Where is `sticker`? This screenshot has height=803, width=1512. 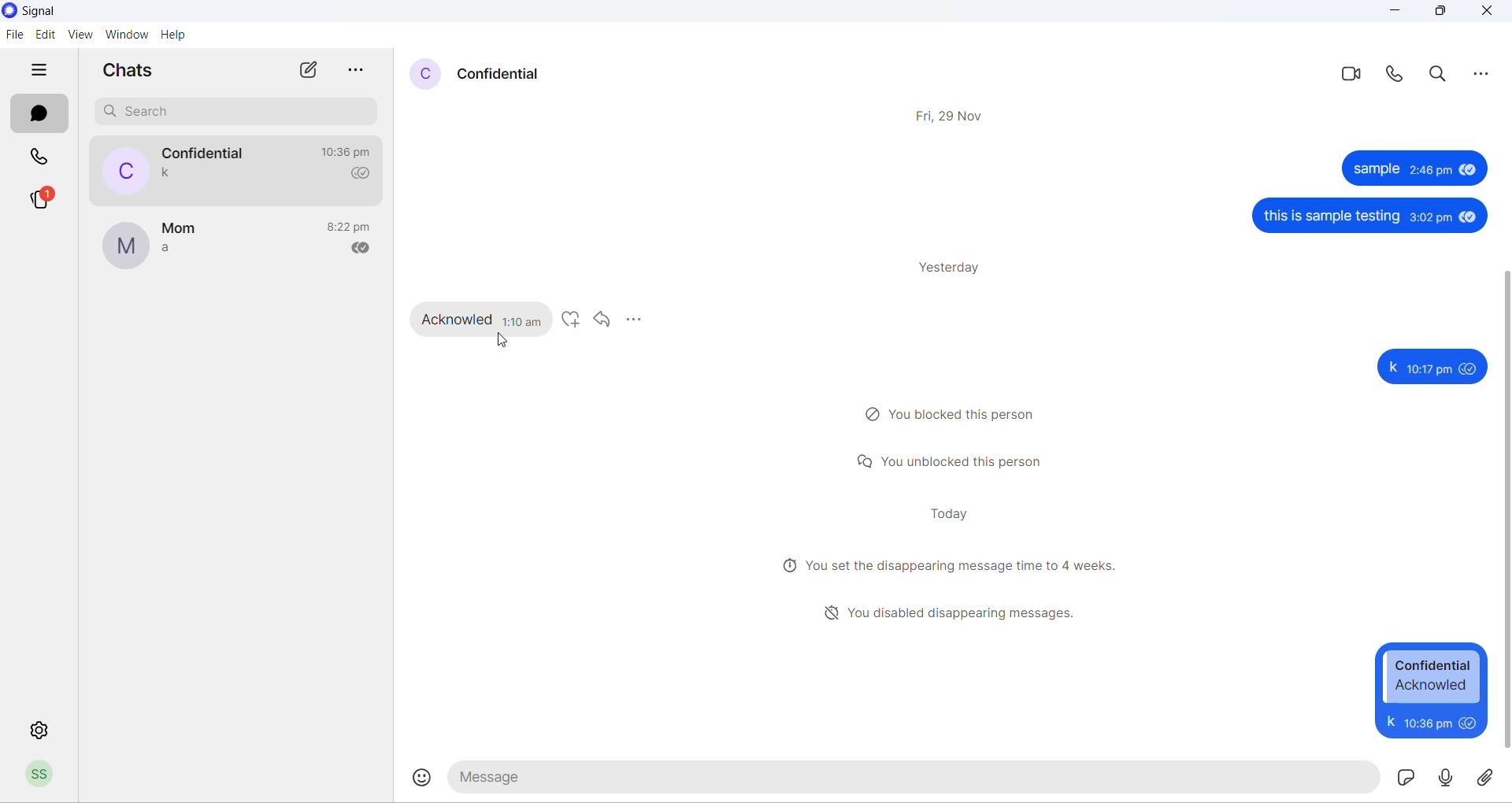 sticker is located at coordinates (1406, 777).